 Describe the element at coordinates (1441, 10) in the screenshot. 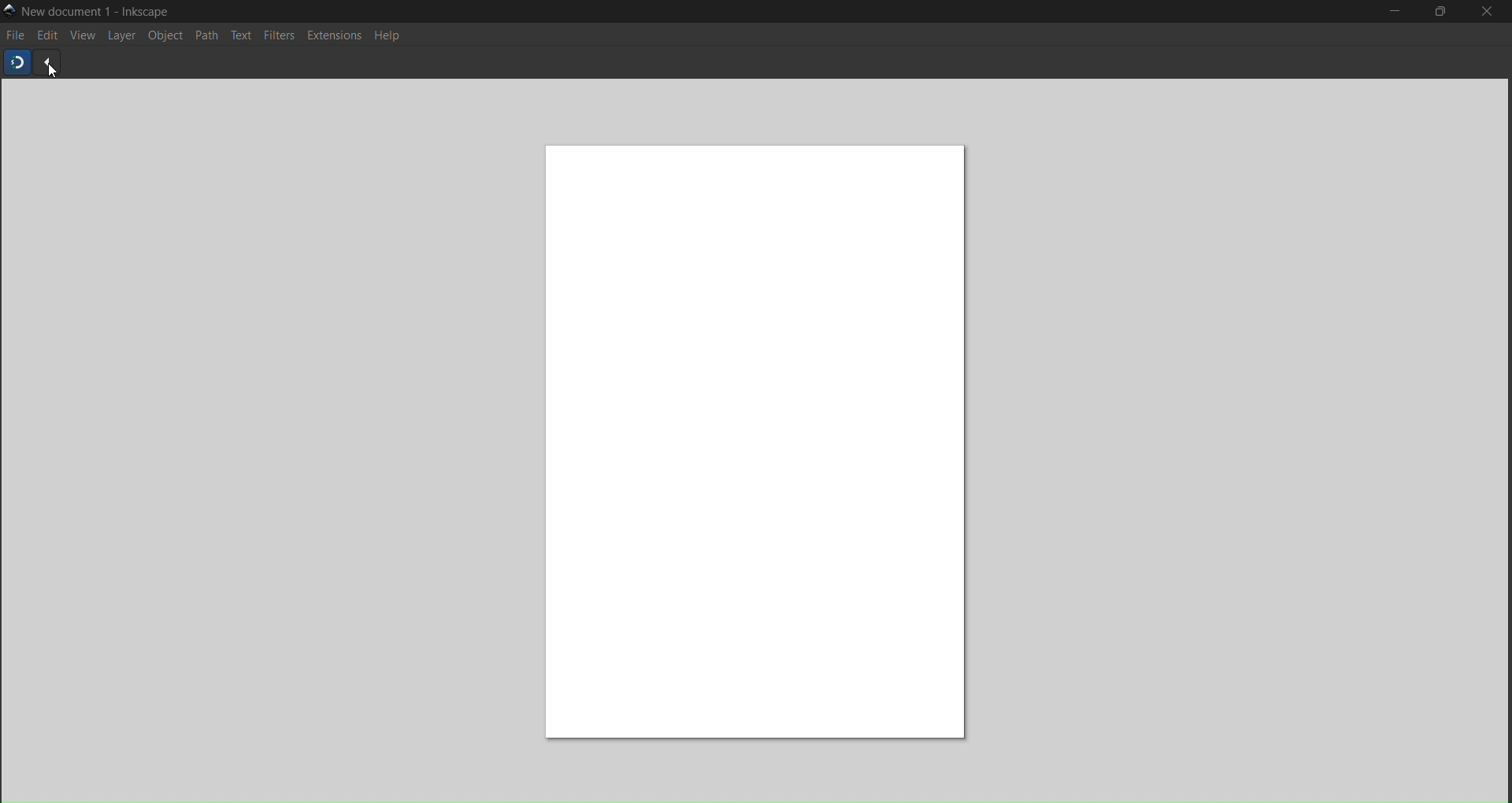

I see `Maximize` at that location.